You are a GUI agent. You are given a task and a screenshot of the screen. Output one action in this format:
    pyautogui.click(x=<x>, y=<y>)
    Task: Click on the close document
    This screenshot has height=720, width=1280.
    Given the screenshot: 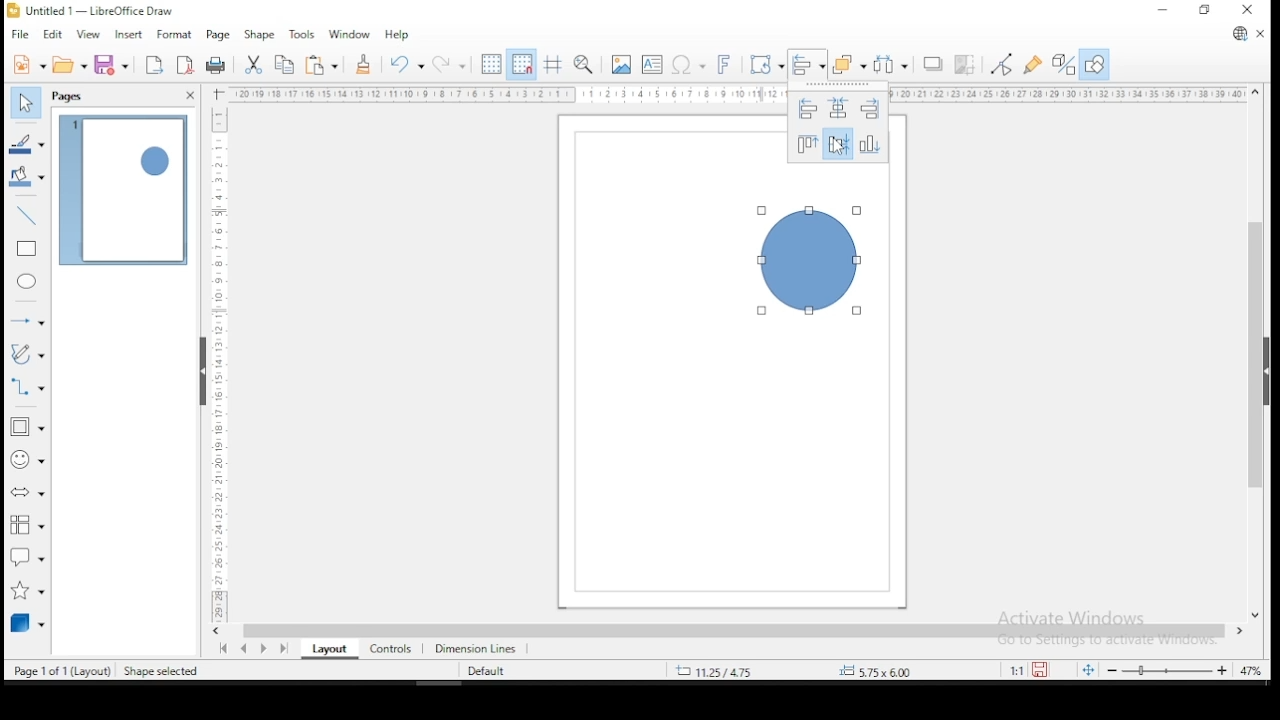 What is the action you would take?
    pyautogui.click(x=1260, y=32)
    